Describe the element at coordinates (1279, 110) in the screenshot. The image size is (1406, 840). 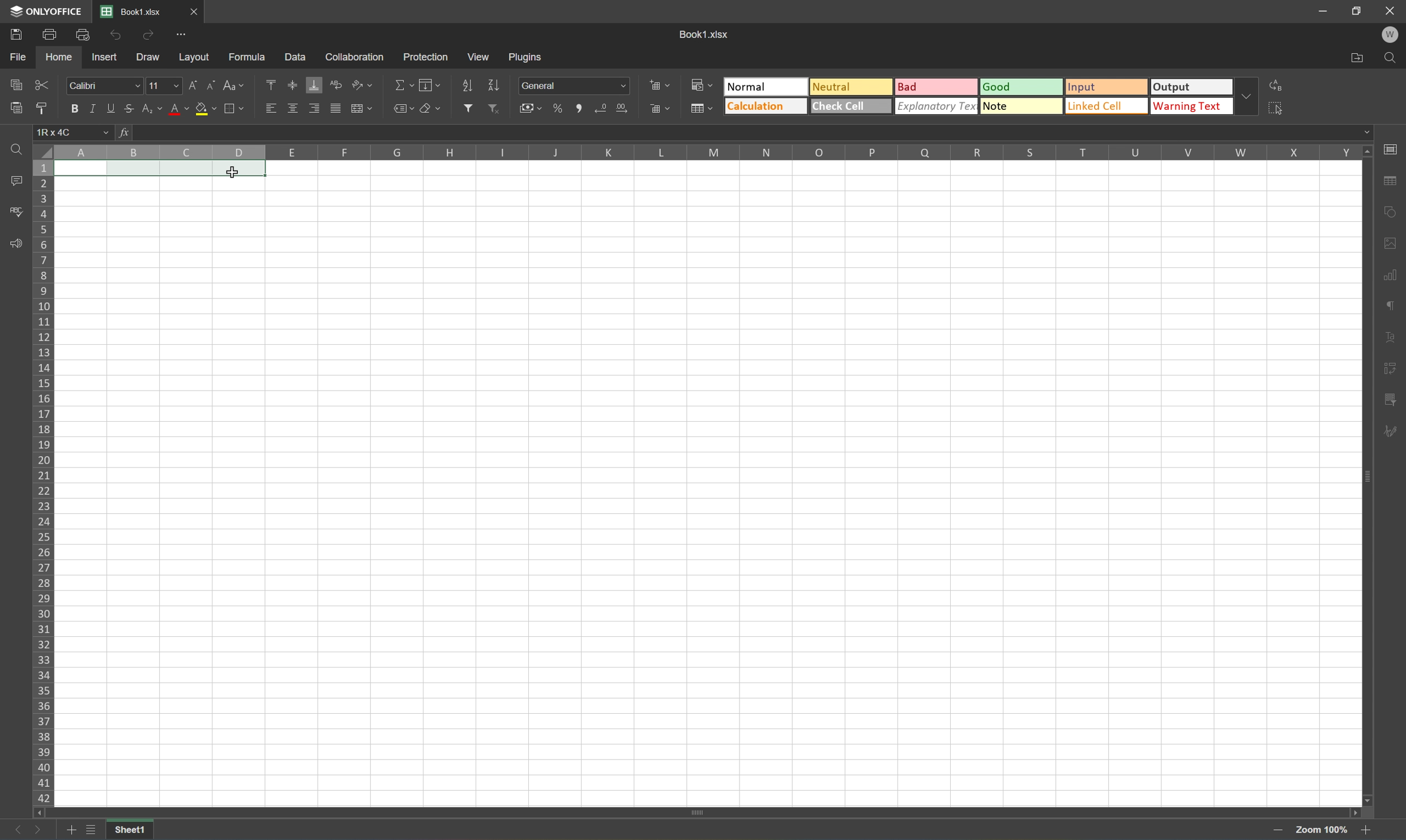
I see `Select all` at that location.